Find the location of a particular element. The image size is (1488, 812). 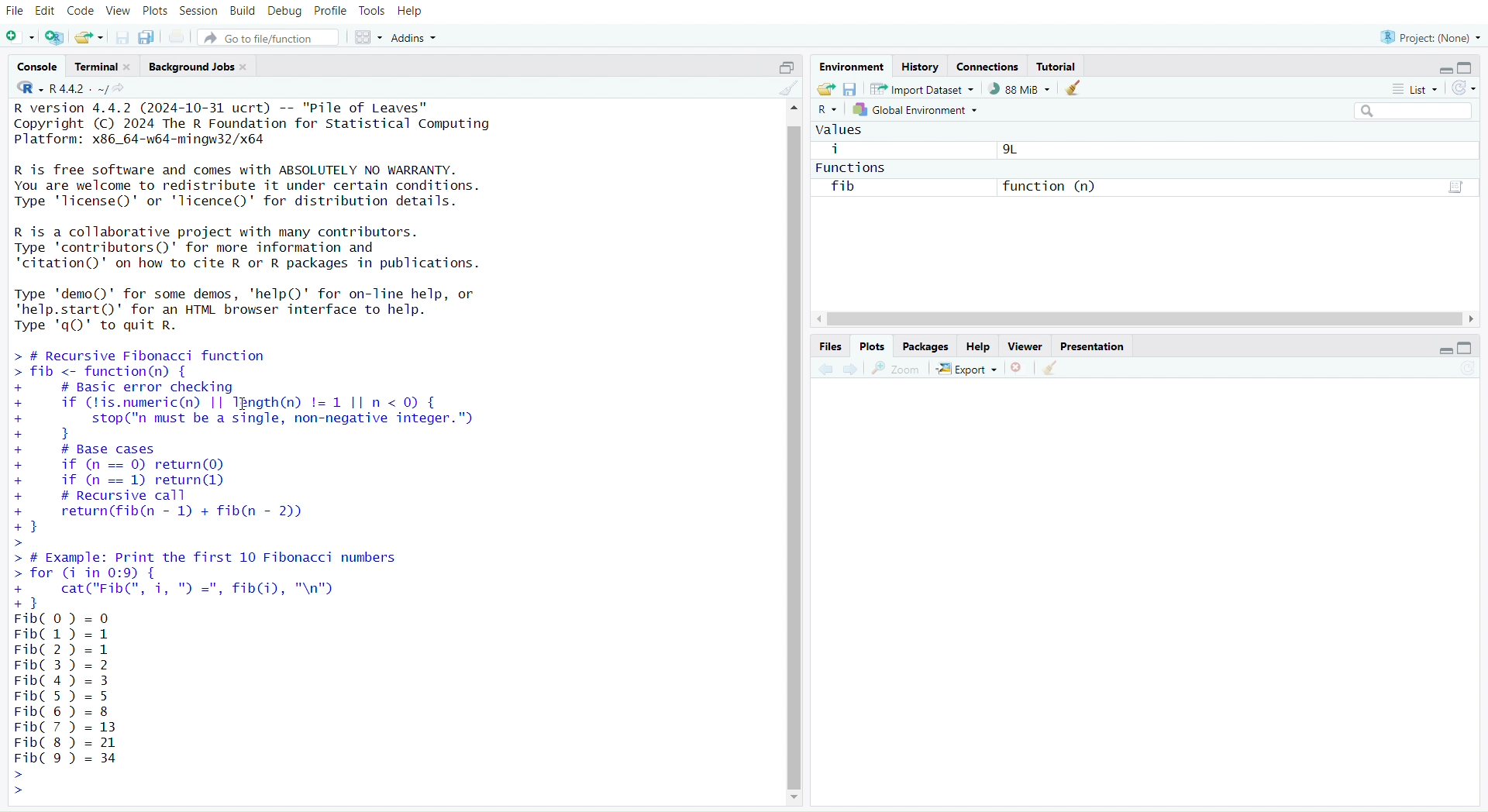

fib is located at coordinates (844, 189).